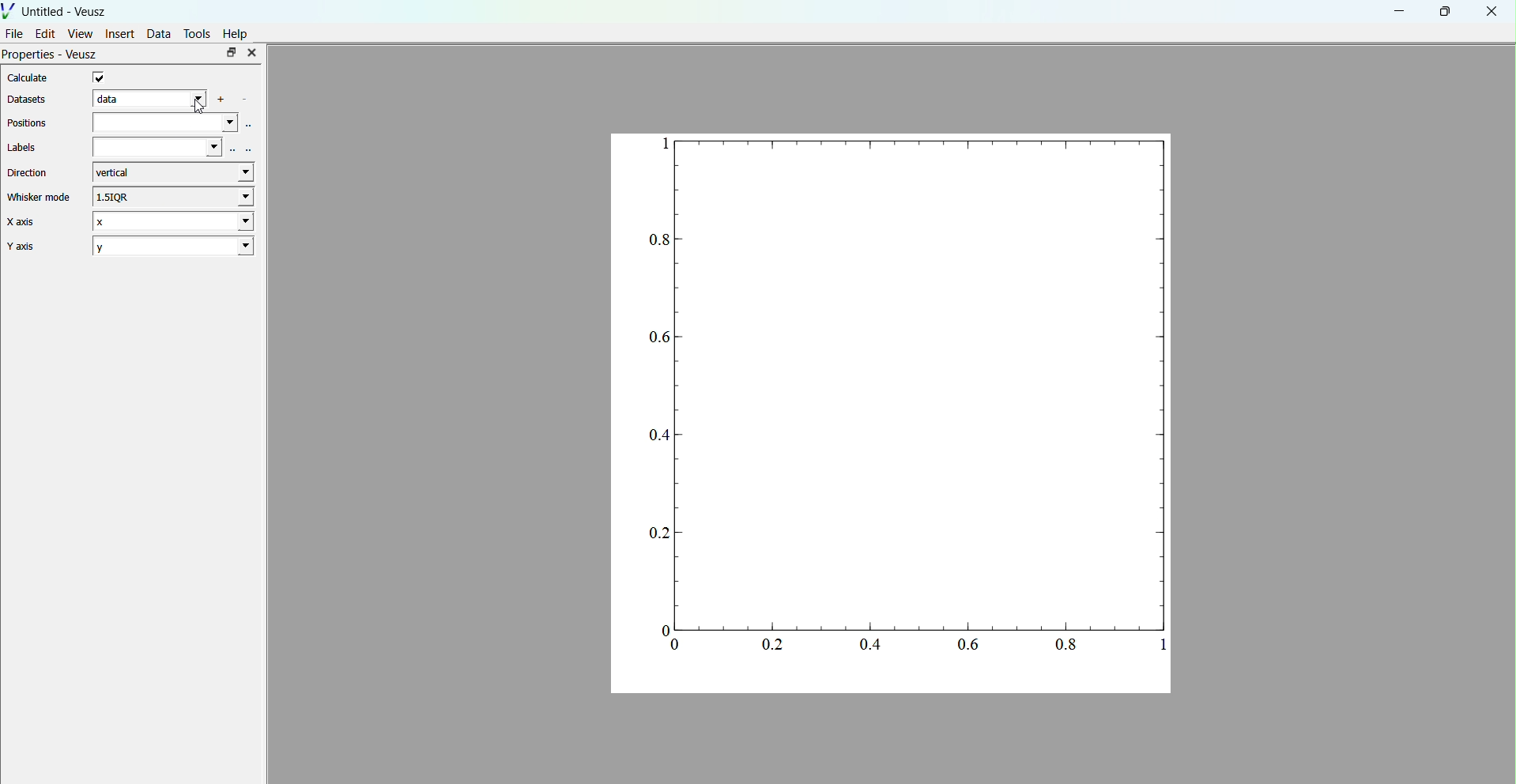  Describe the element at coordinates (150, 98) in the screenshot. I see `data` at that location.